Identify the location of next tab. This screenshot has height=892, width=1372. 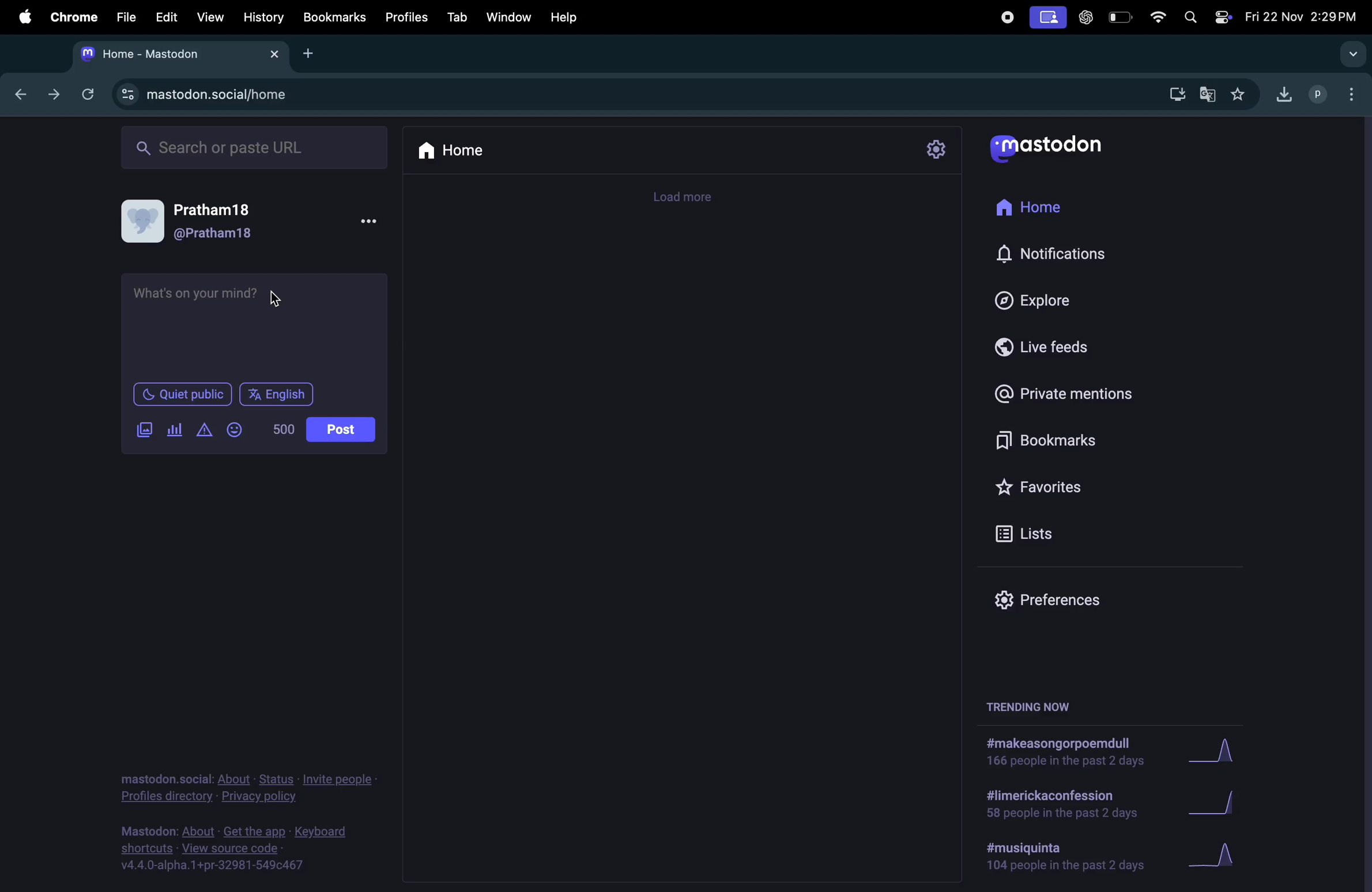
(51, 95).